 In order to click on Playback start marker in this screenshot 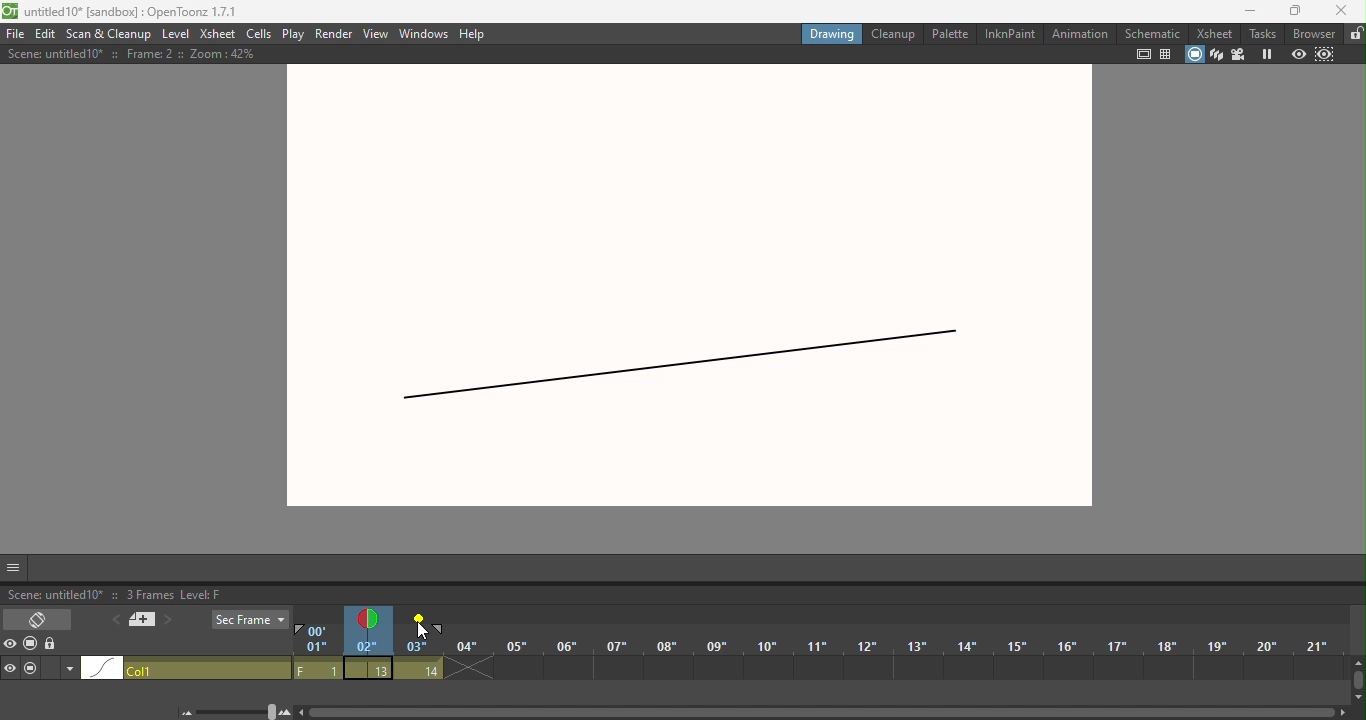, I will do `click(302, 631)`.